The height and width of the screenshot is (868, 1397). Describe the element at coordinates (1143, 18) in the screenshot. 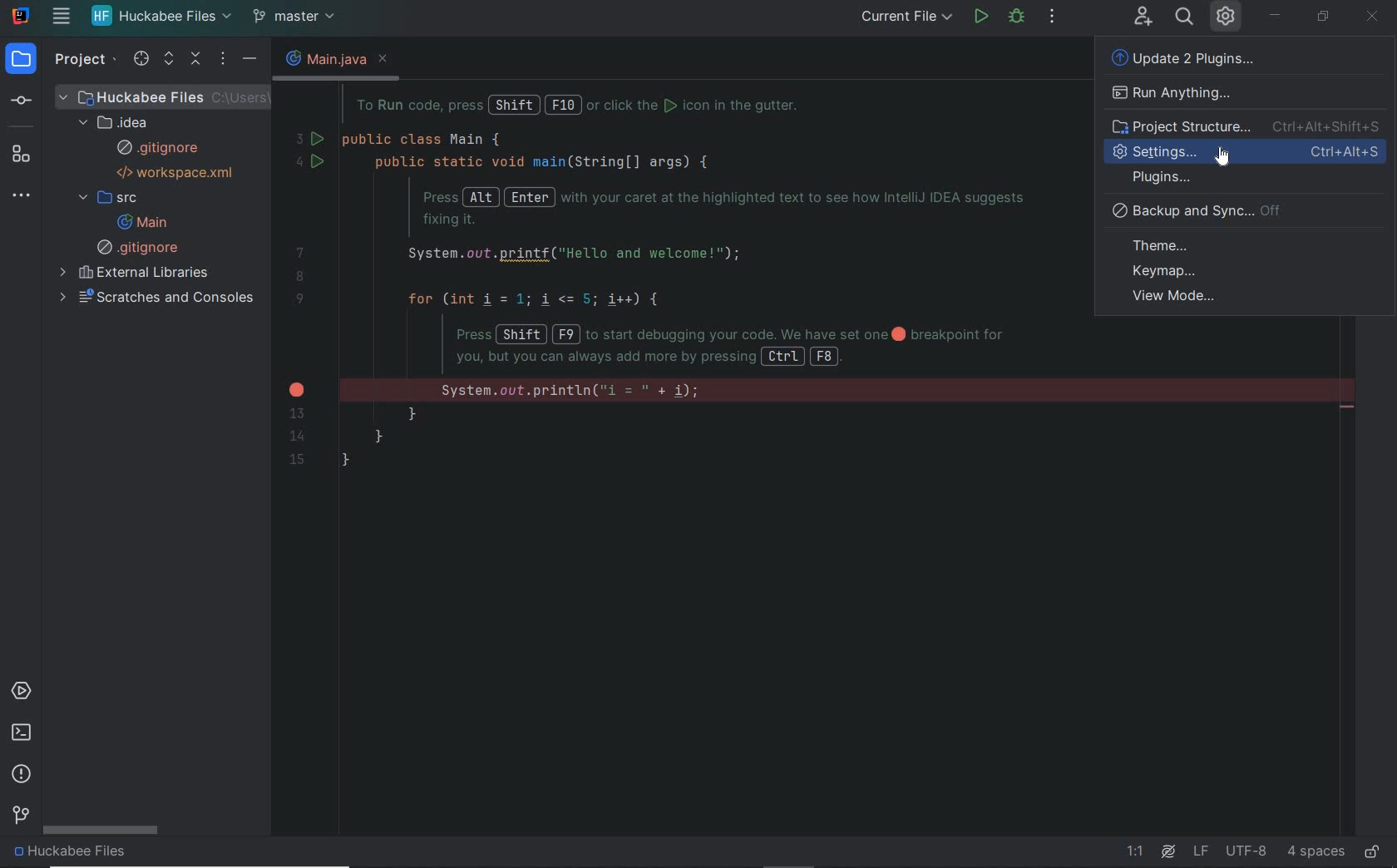

I see `code with me` at that location.